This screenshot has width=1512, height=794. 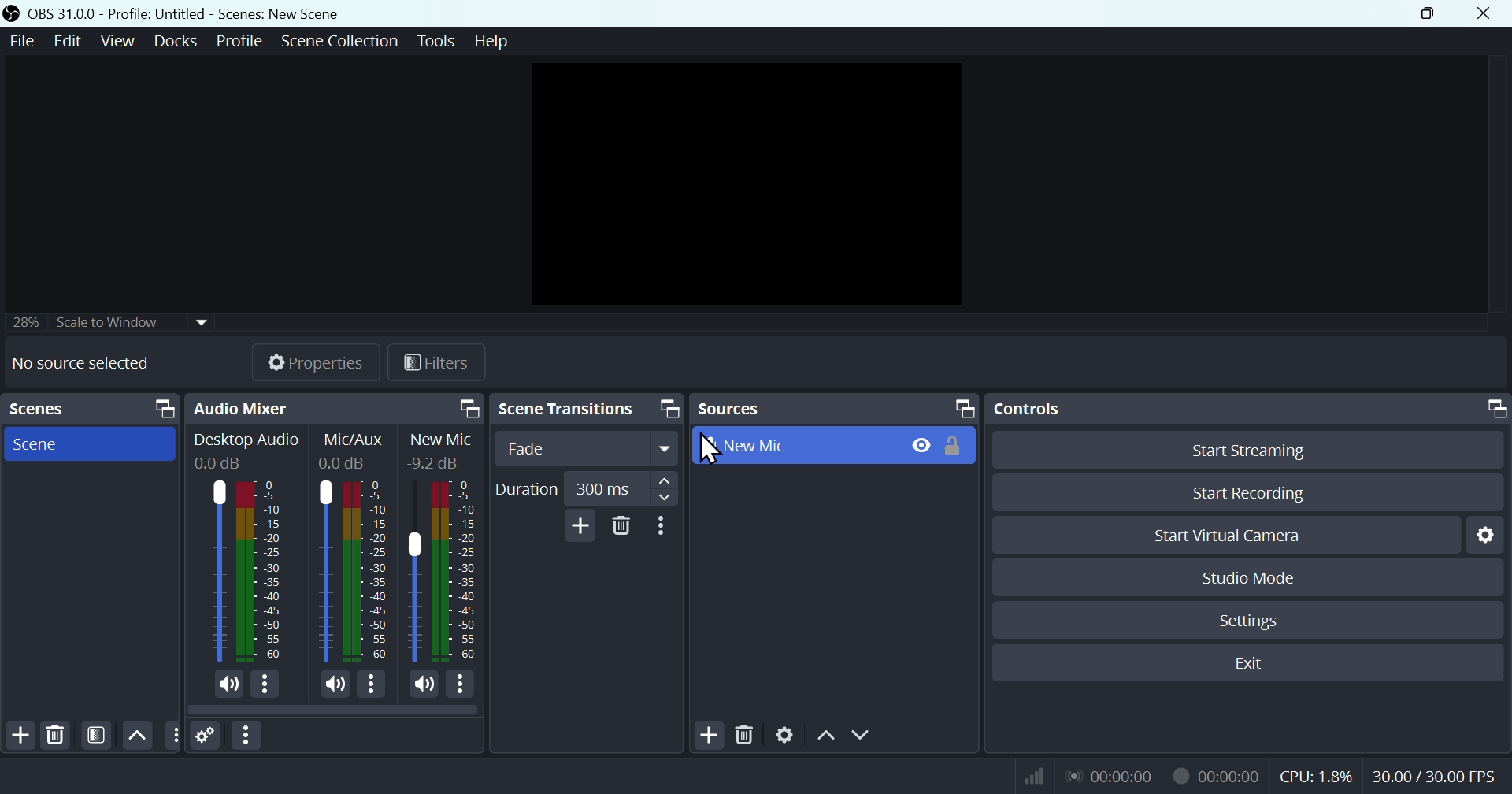 What do you see at coordinates (1251, 665) in the screenshot?
I see `Exit` at bounding box center [1251, 665].